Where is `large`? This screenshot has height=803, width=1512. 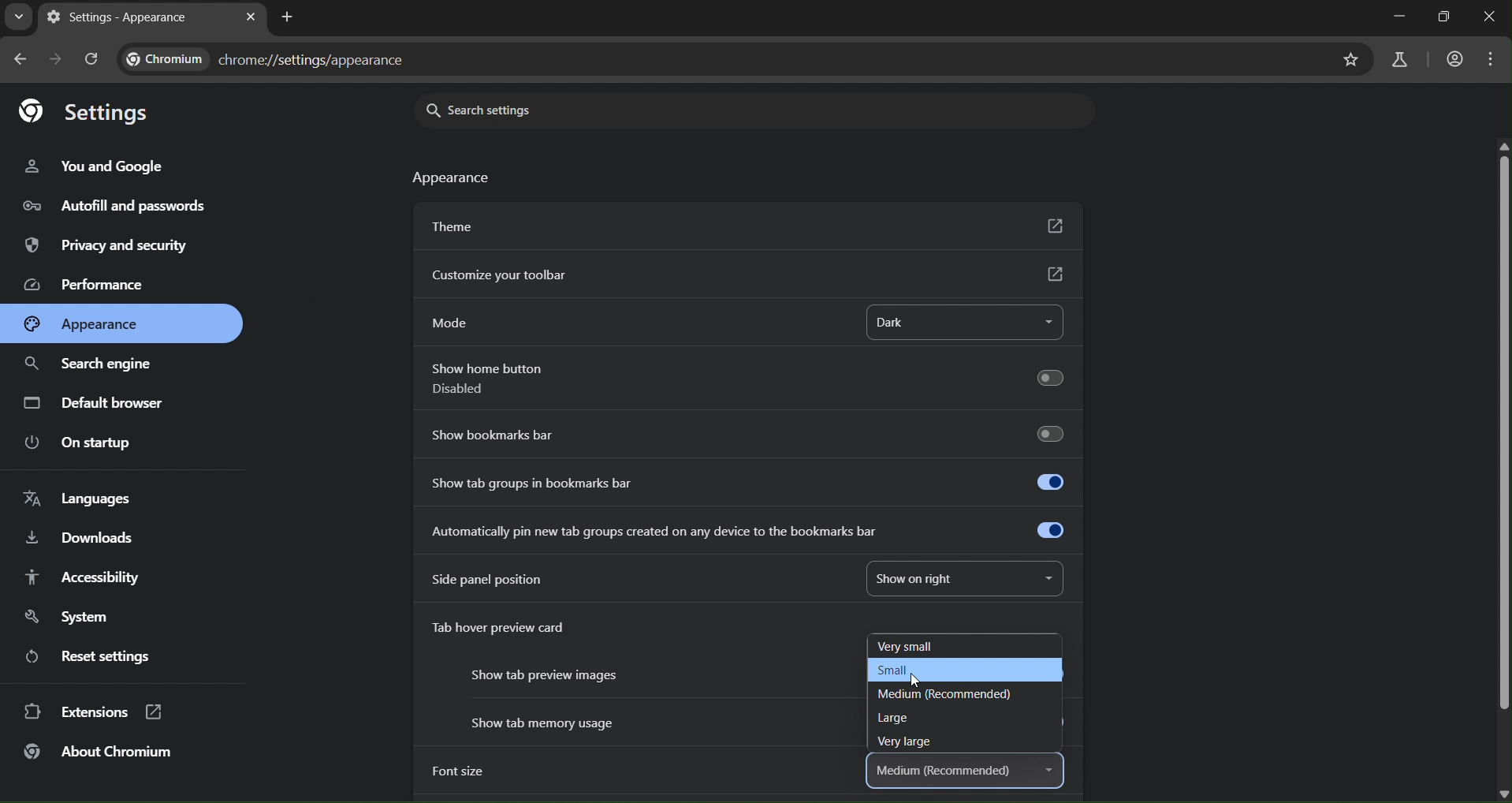 large is located at coordinates (898, 718).